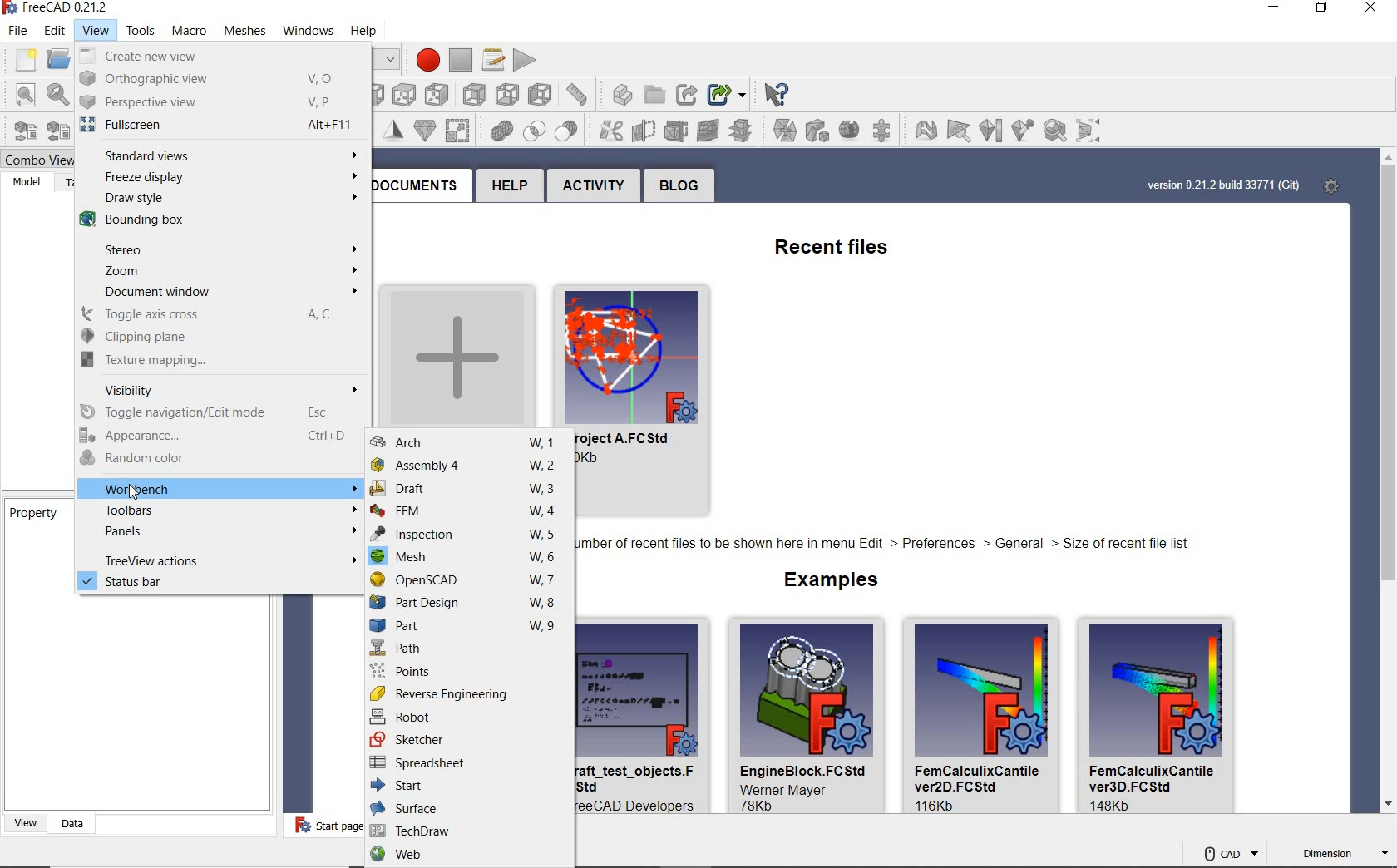 This screenshot has width=1397, height=868. Describe the element at coordinates (1272, 10) in the screenshot. I see `minimize` at that location.